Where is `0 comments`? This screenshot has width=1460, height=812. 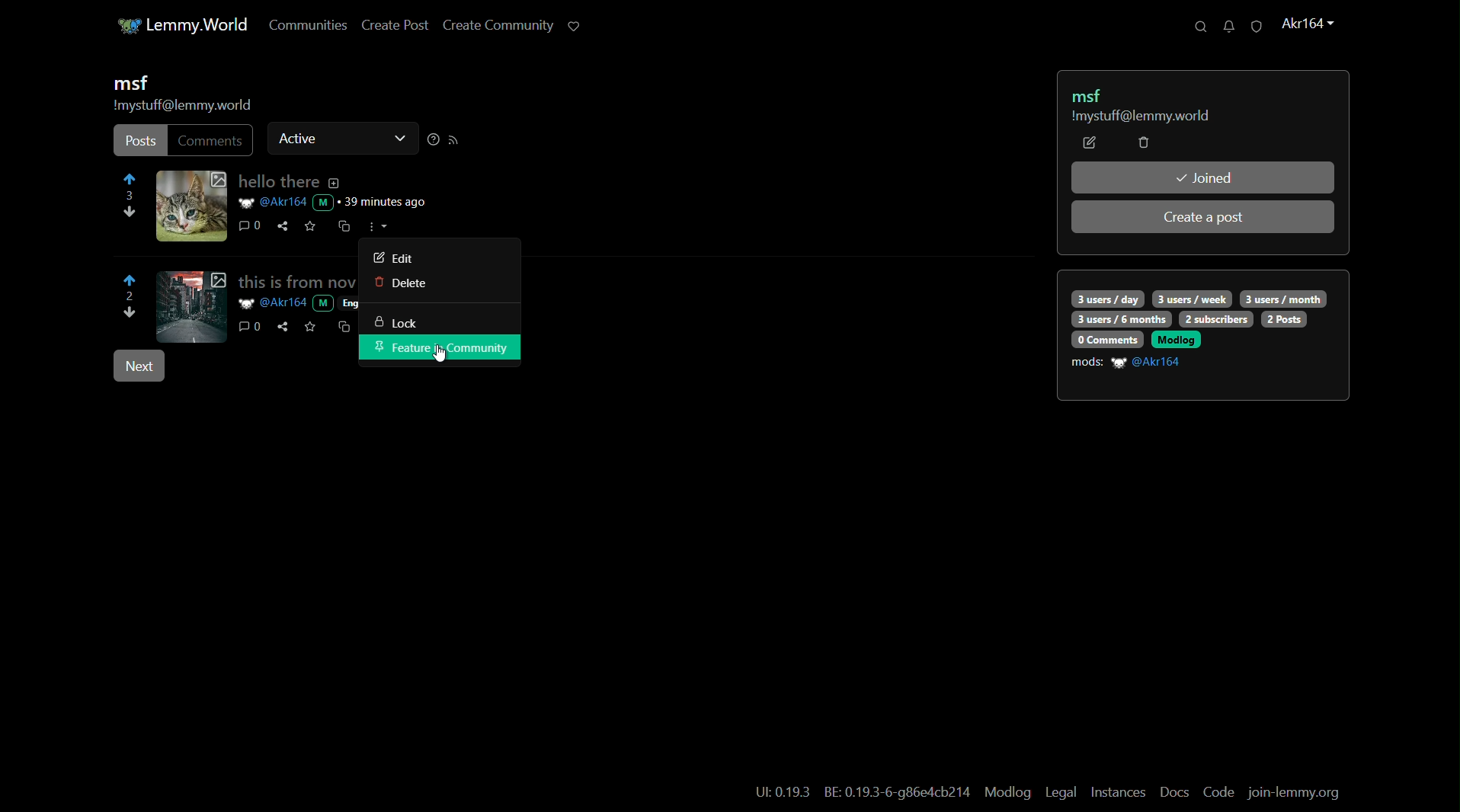 0 comments is located at coordinates (1106, 339).